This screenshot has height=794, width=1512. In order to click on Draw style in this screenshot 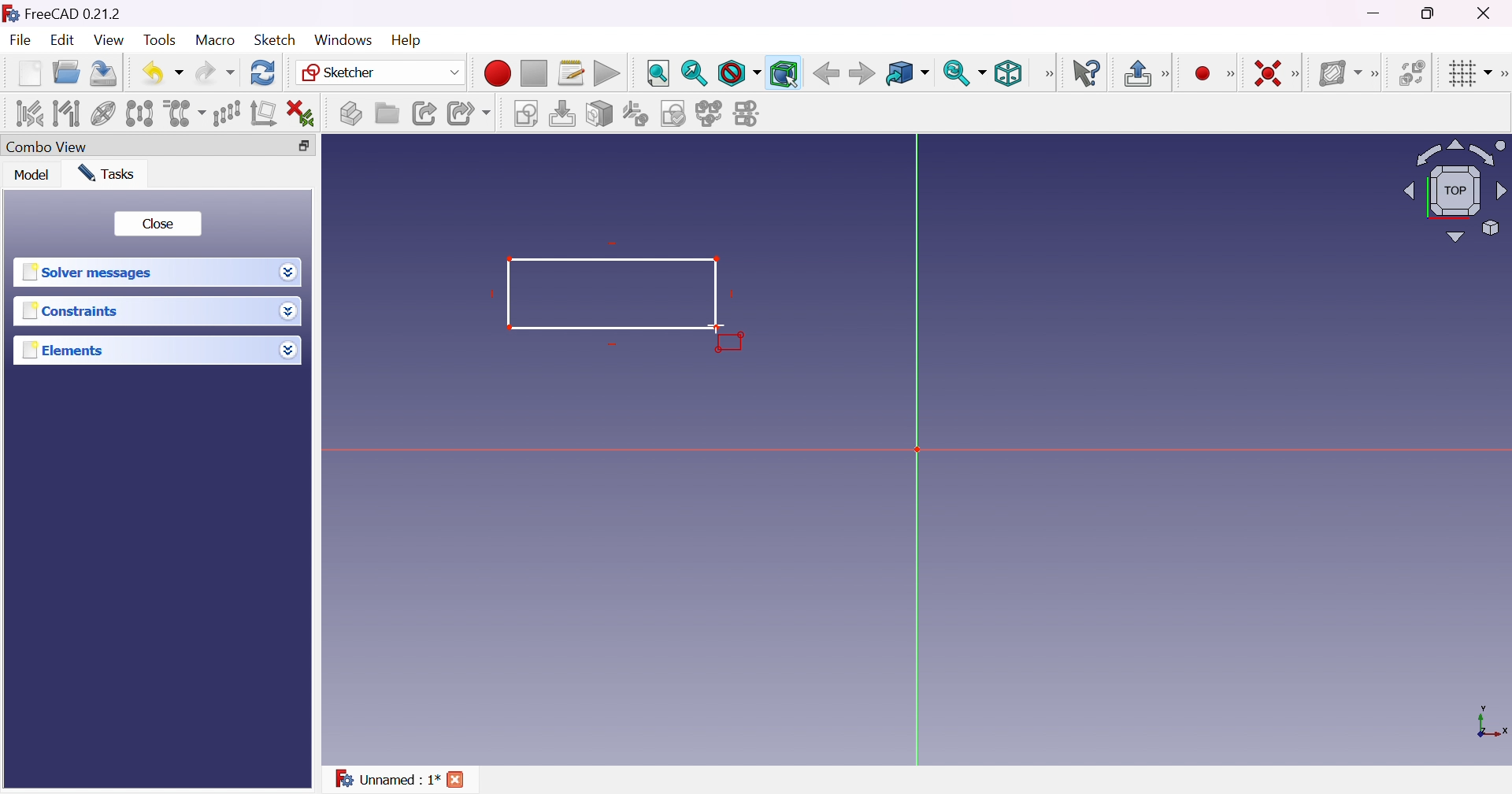, I will do `click(738, 73)`.